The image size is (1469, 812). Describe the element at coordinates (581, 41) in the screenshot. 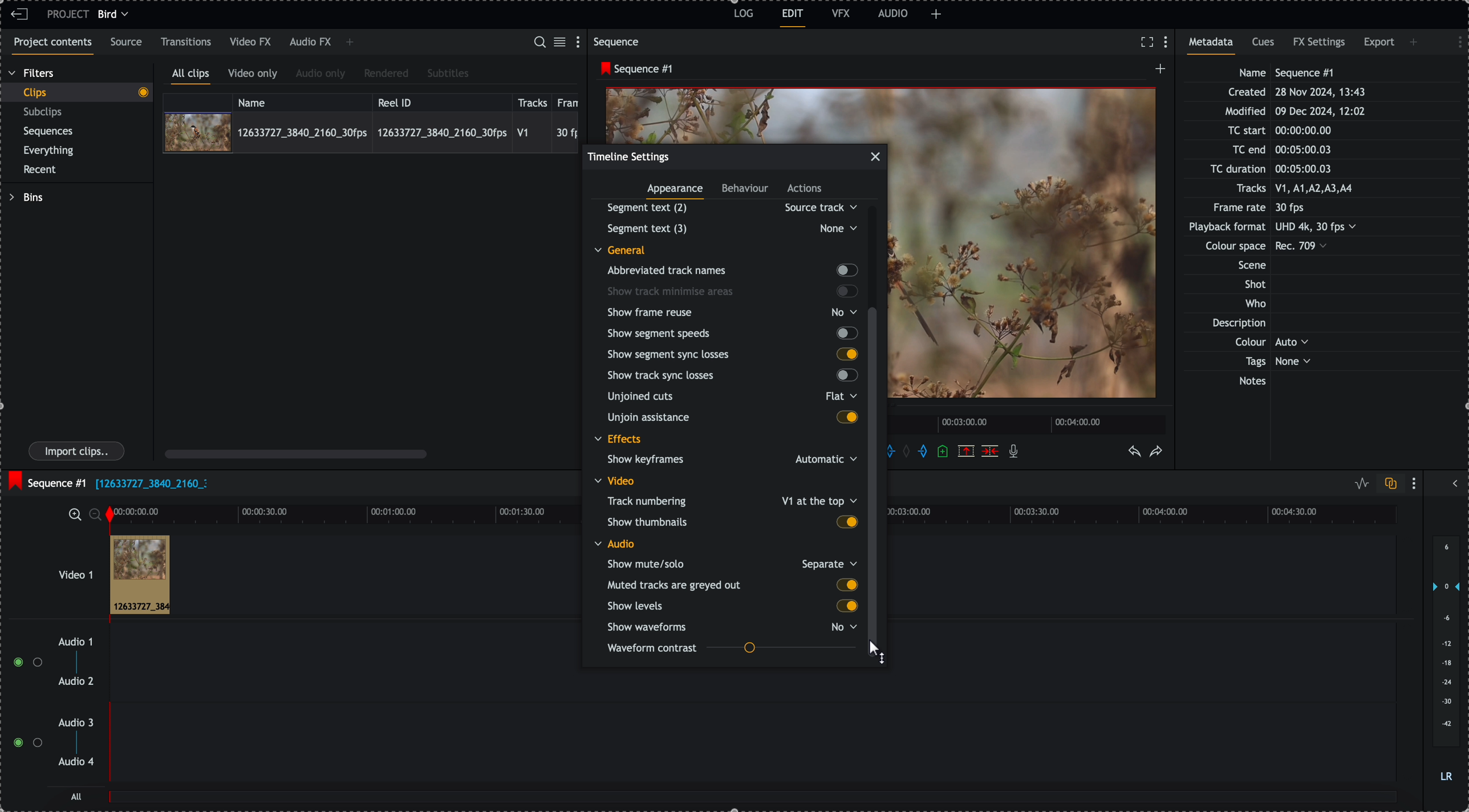

I see `show settings menu` at that location.